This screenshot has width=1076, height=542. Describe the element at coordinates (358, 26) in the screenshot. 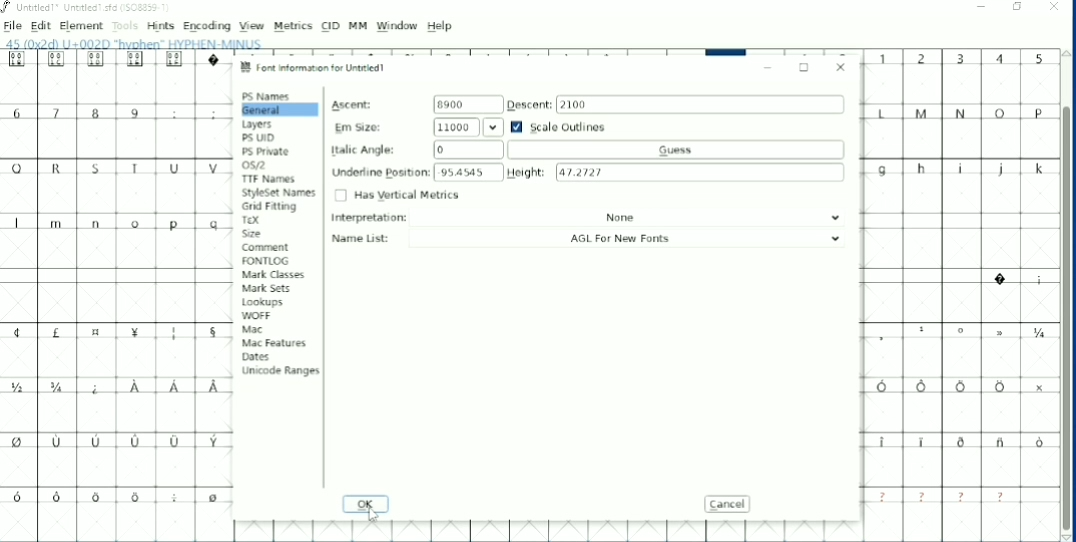

I see `MM` at that location.